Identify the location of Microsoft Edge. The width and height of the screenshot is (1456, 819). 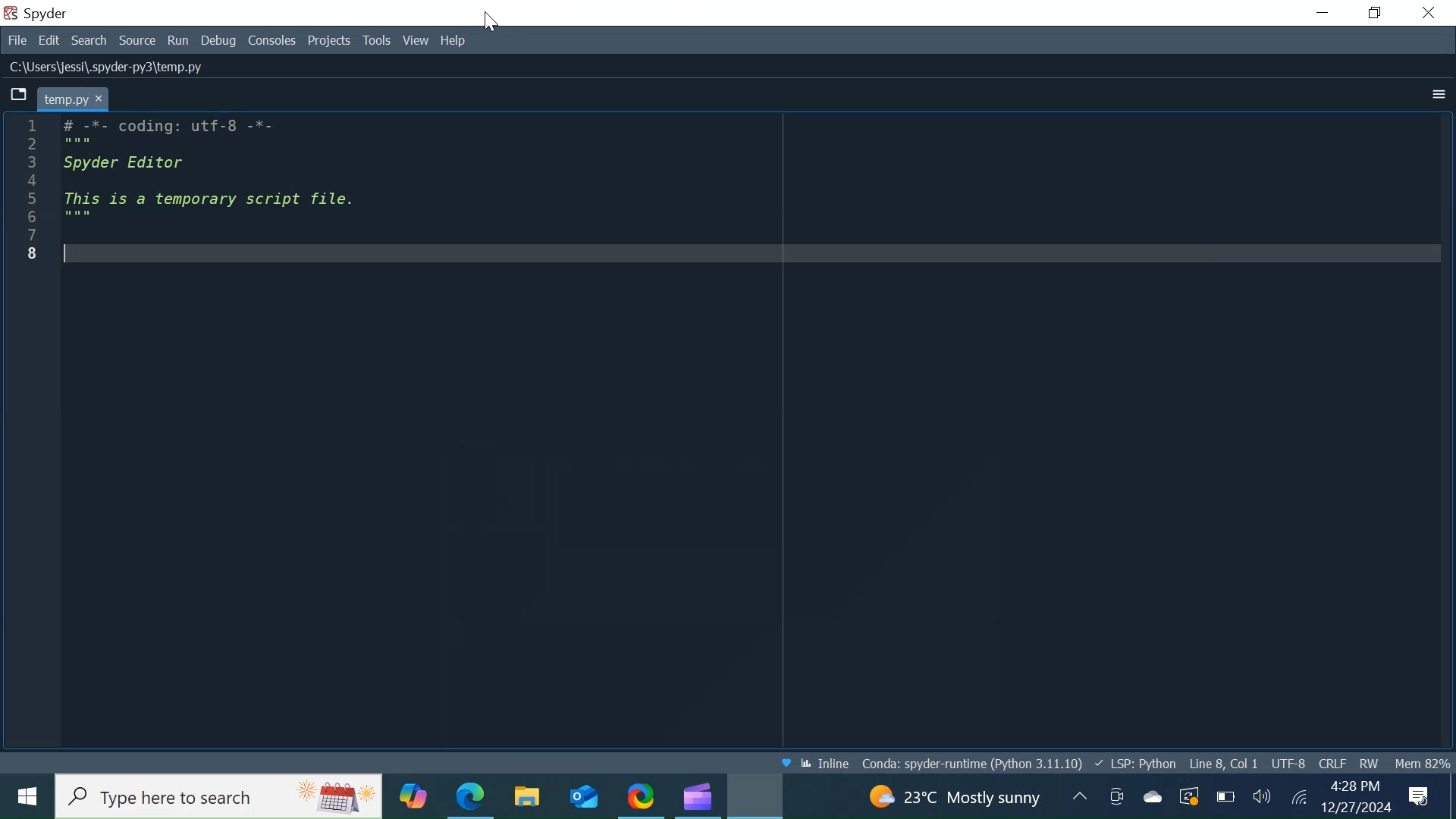
(467, 796).